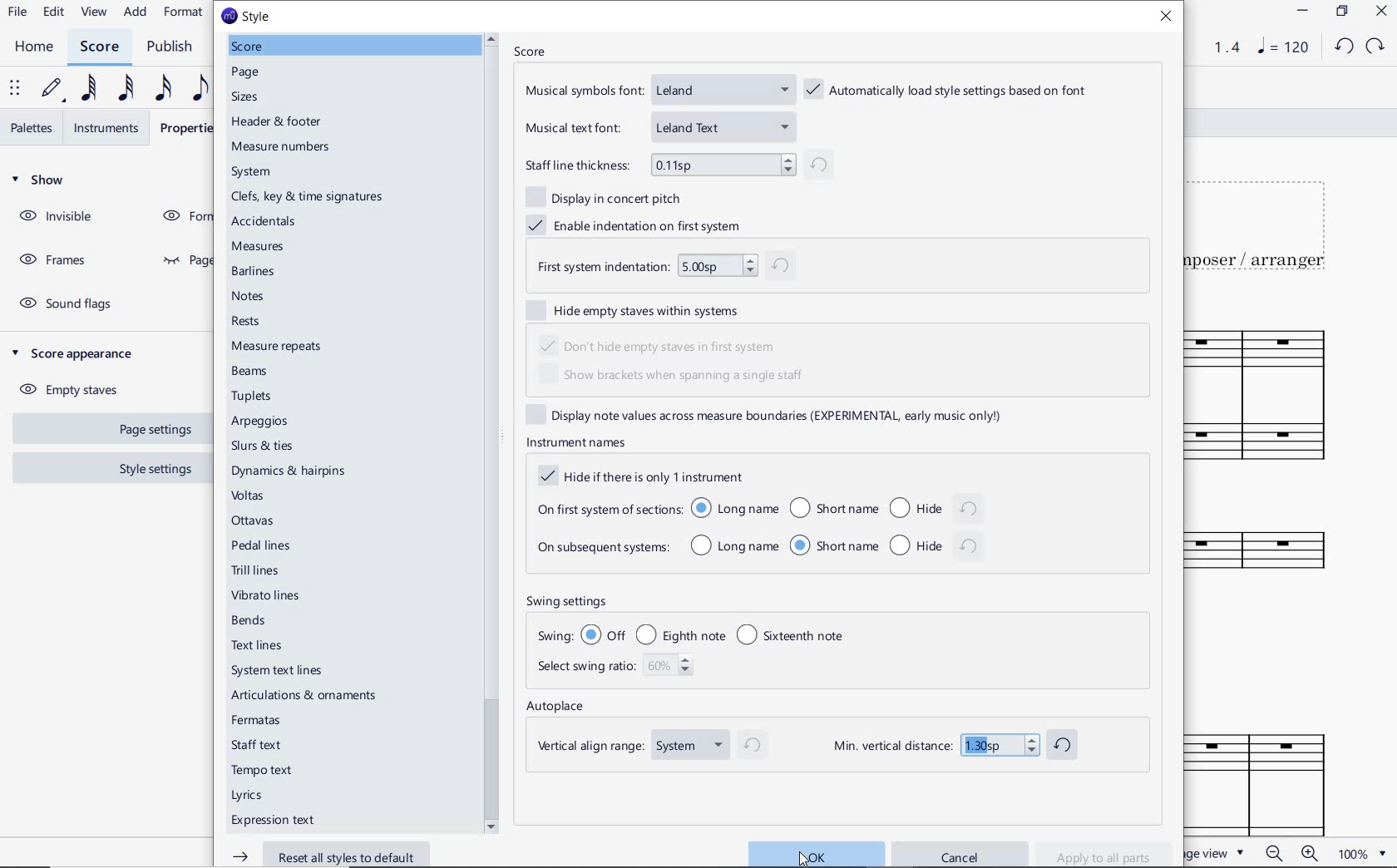  What do you see at coordinates (199, 89) in the screenshot?
I see `EIGHTH NOTE` at bounding box center [199, 89].